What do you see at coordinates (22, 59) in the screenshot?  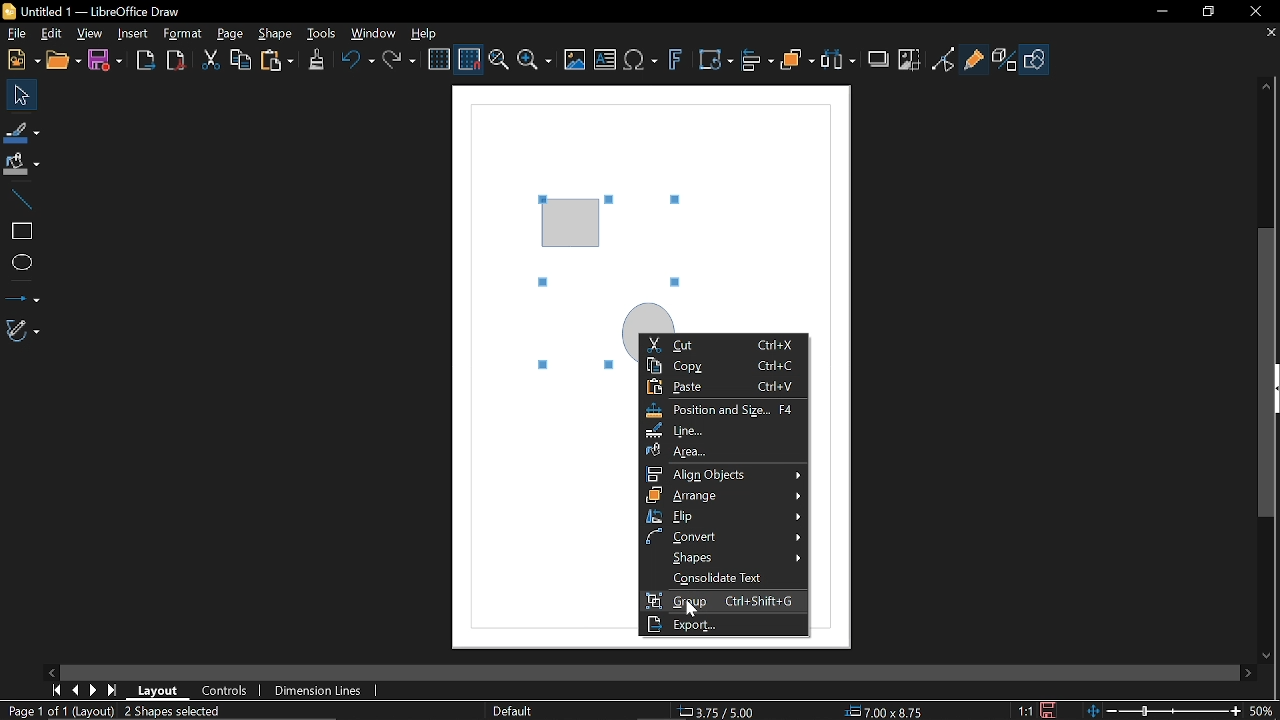 I see `New` at bounding box center [22, 59].